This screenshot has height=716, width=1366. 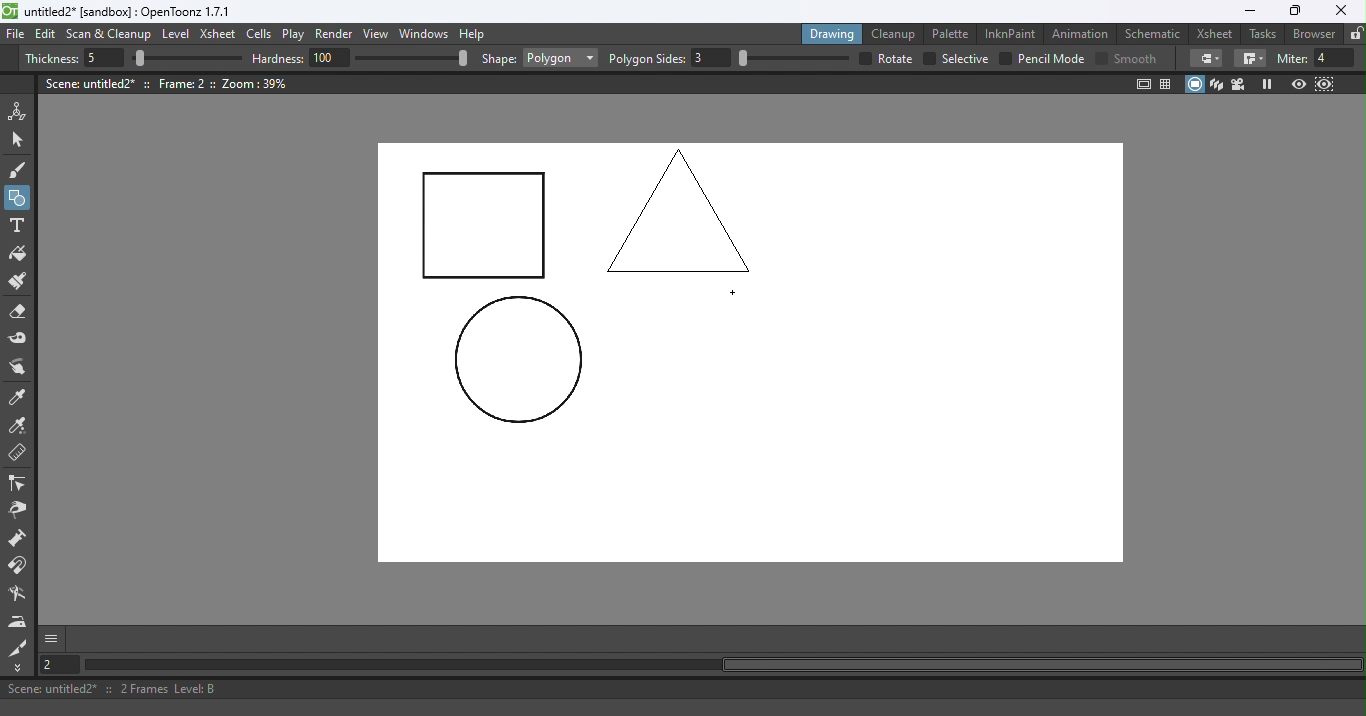 I want to click on Brush tool, so click(x=22, y=169).